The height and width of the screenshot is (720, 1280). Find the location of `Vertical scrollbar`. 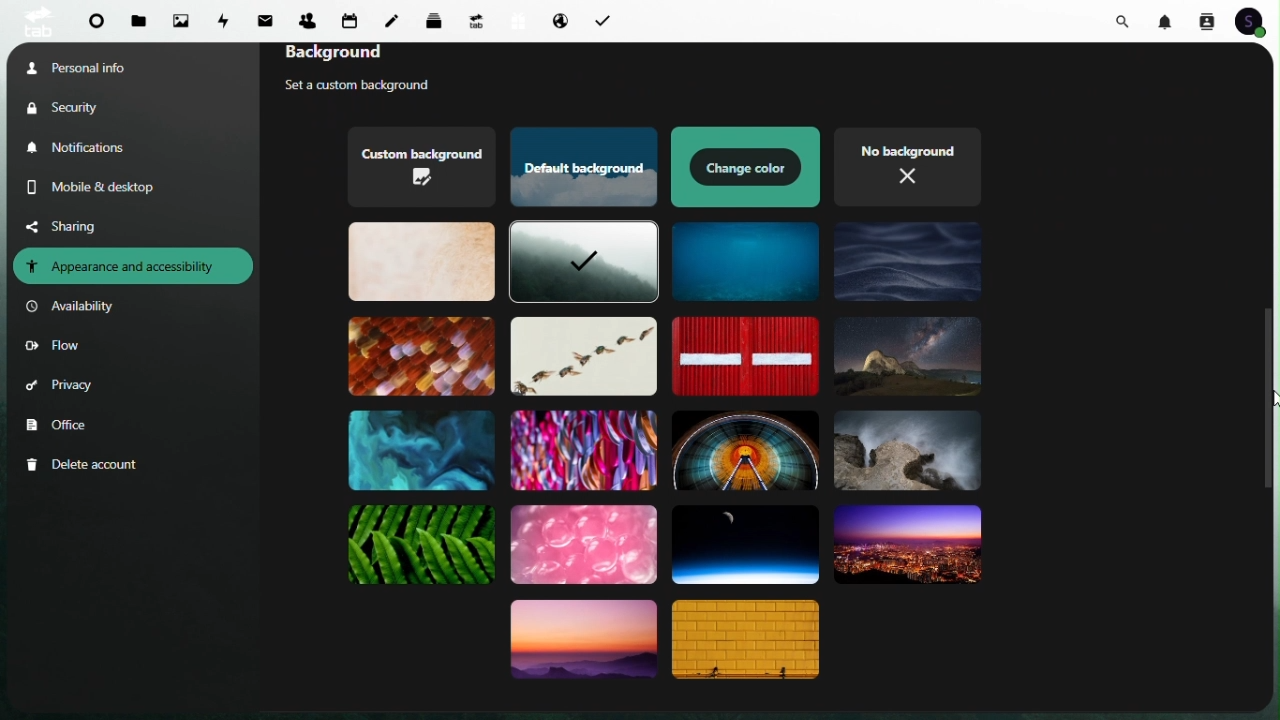

Vertical scrollbar is located at coordinates (1269, 394).